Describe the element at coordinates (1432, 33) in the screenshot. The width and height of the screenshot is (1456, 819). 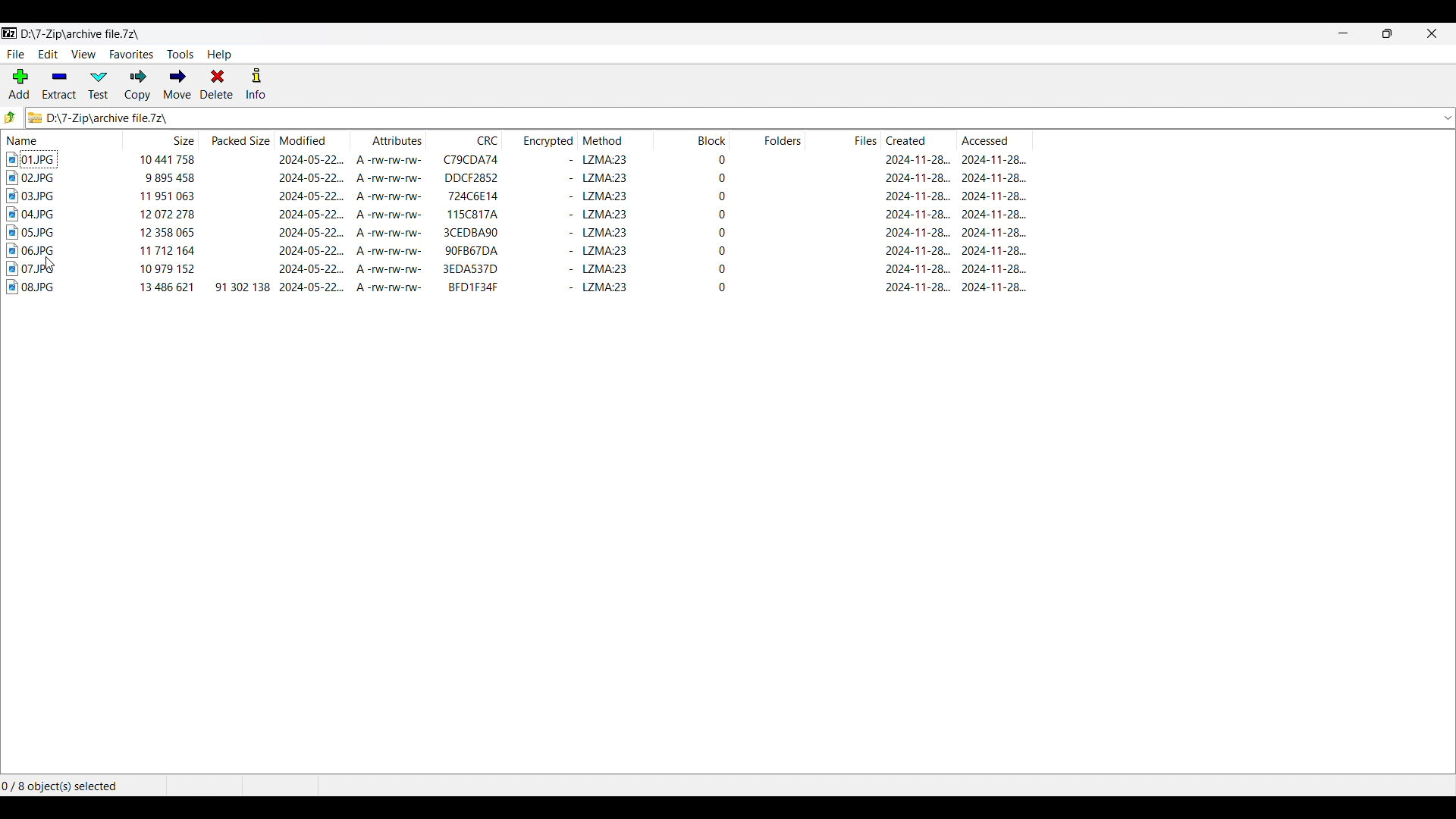
I see `Close interface` at that location.